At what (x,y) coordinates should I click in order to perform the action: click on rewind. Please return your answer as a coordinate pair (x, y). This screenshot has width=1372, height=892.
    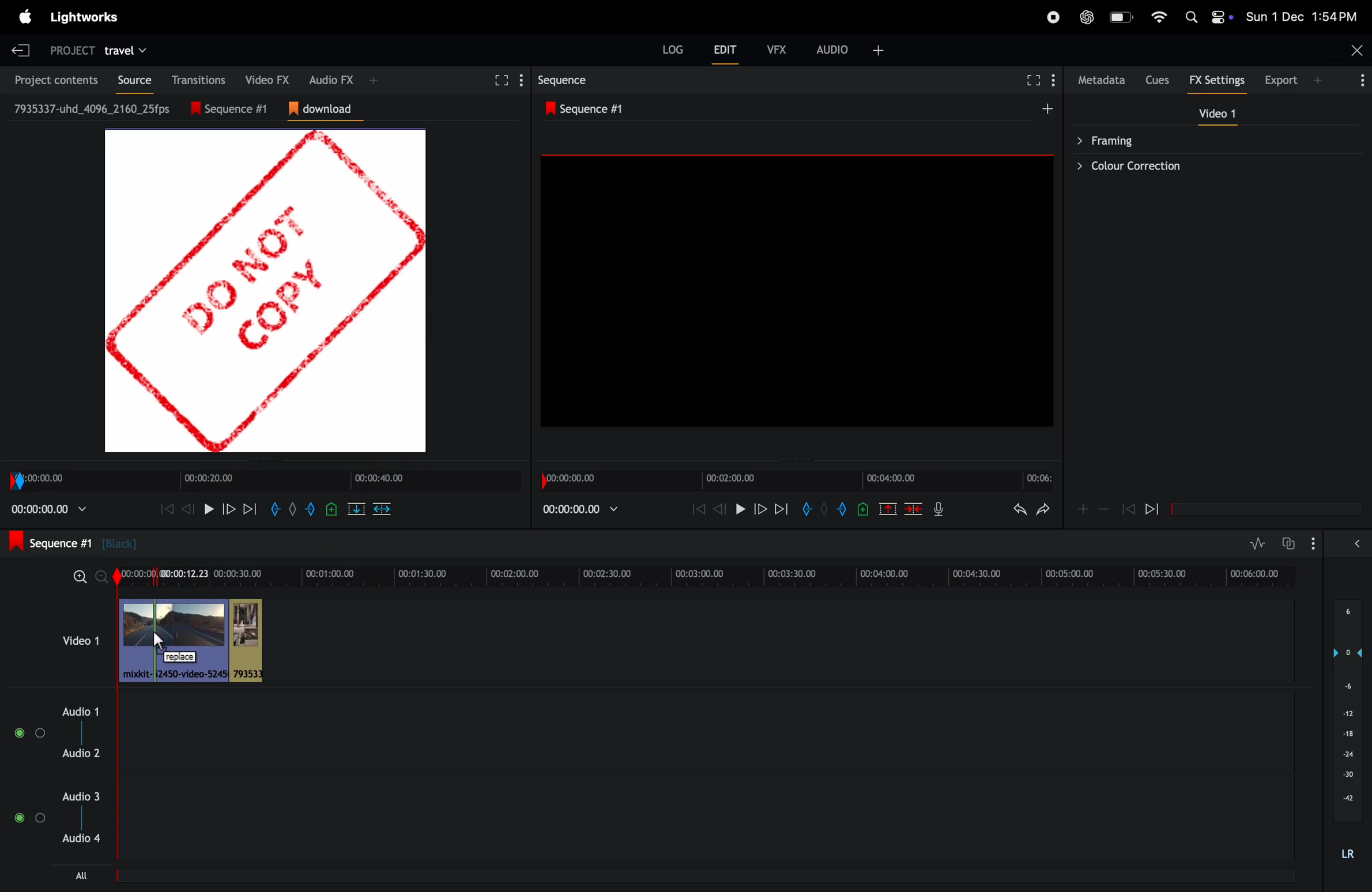
    Looking at the image, I should click on (913, 508).